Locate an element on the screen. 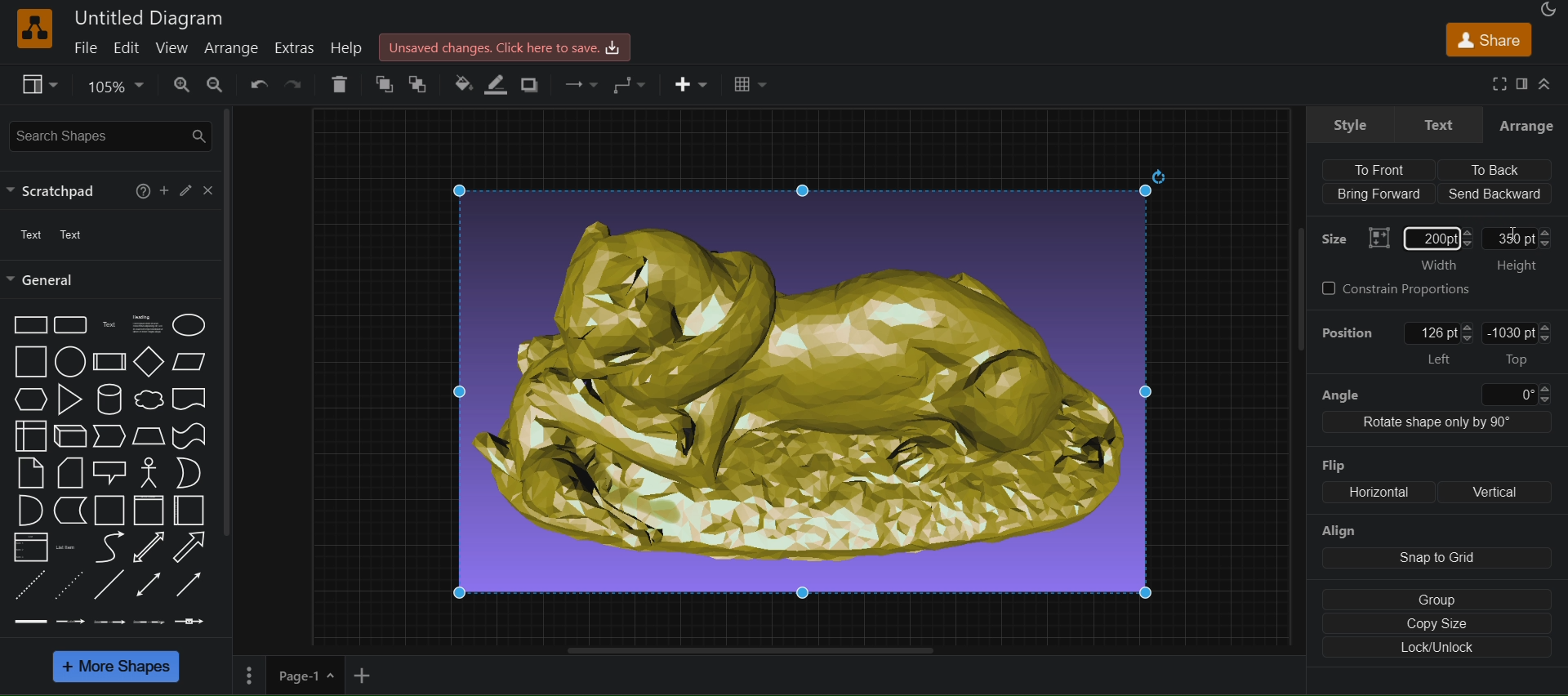 This screenshot has width=1568, height=696. logo is located at coordinates (33, 29).